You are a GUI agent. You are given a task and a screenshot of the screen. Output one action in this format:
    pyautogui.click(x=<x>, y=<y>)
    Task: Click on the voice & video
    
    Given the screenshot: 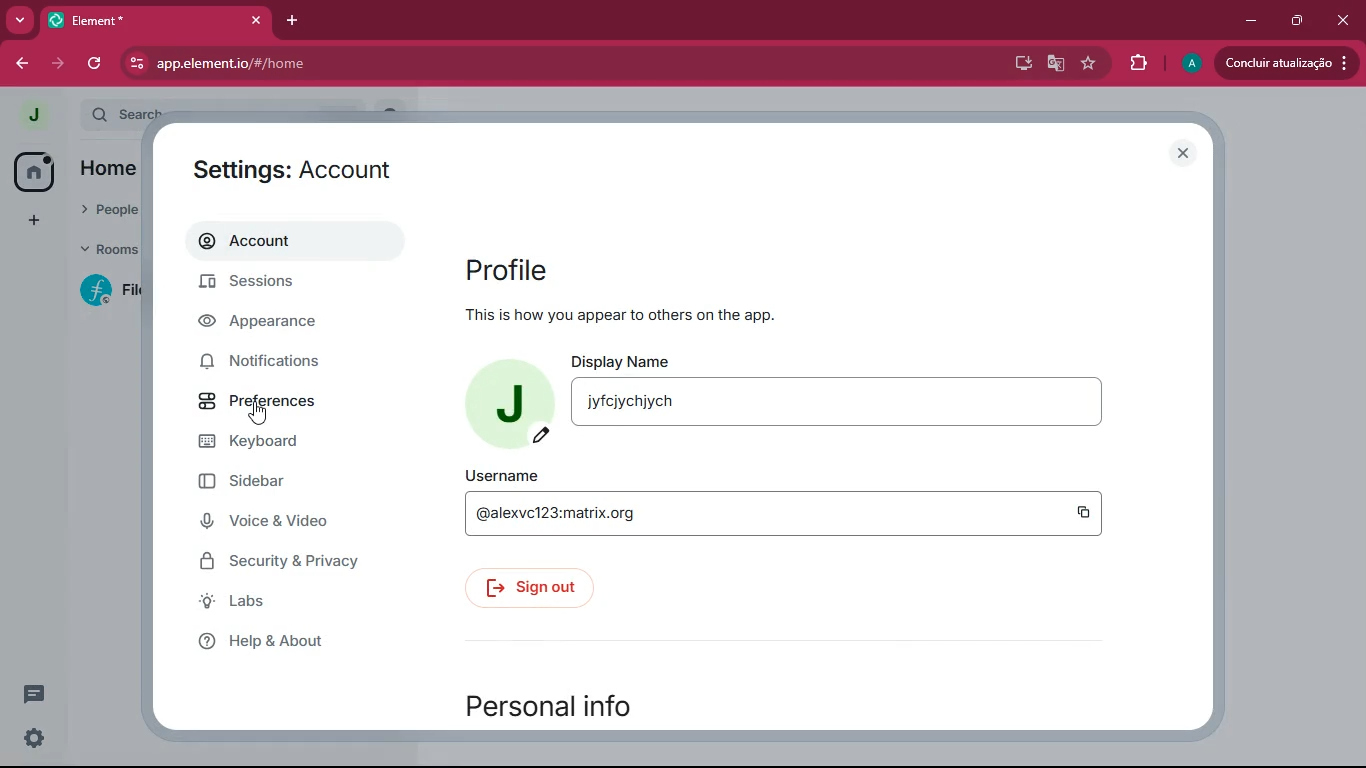 What is the action you would take?
    pyautogui.click(x=280, y=523)
    